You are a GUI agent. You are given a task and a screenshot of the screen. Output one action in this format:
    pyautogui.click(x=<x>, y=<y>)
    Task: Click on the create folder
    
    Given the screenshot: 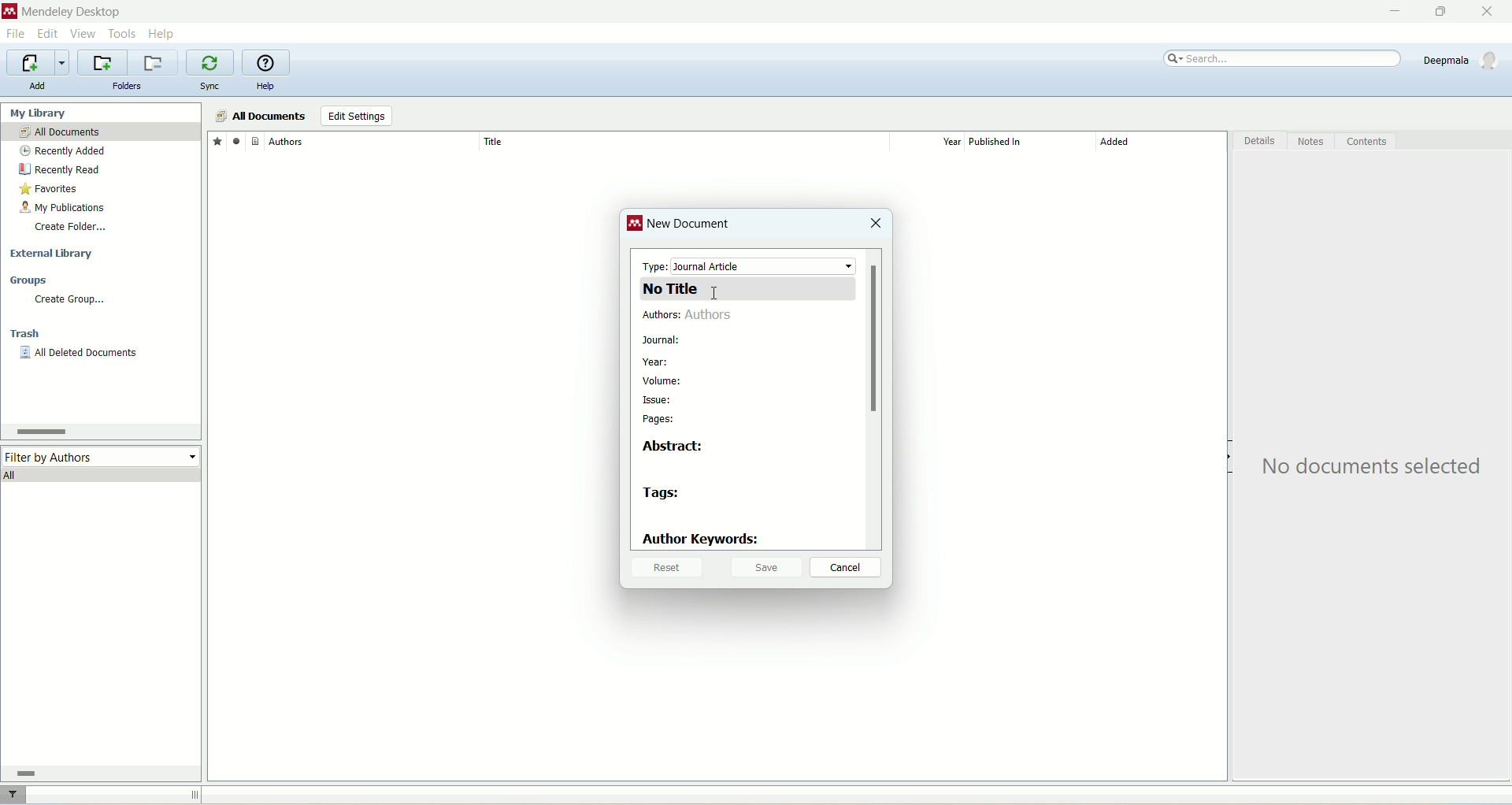 What is the action you would take?
    pyautogui.click(x=70, y=226)
    